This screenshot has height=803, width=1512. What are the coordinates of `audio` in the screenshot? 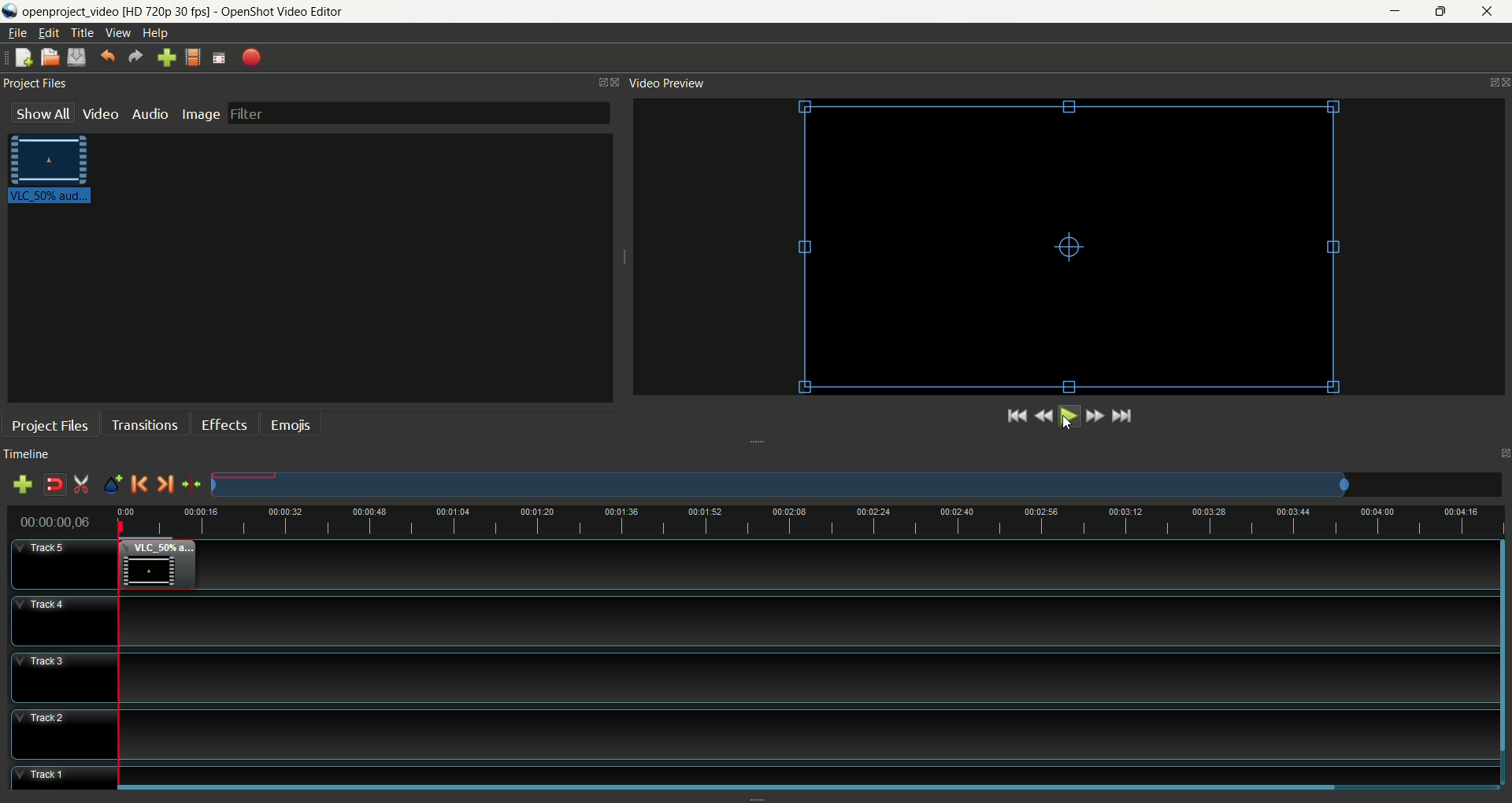 It's located at (150, 113).